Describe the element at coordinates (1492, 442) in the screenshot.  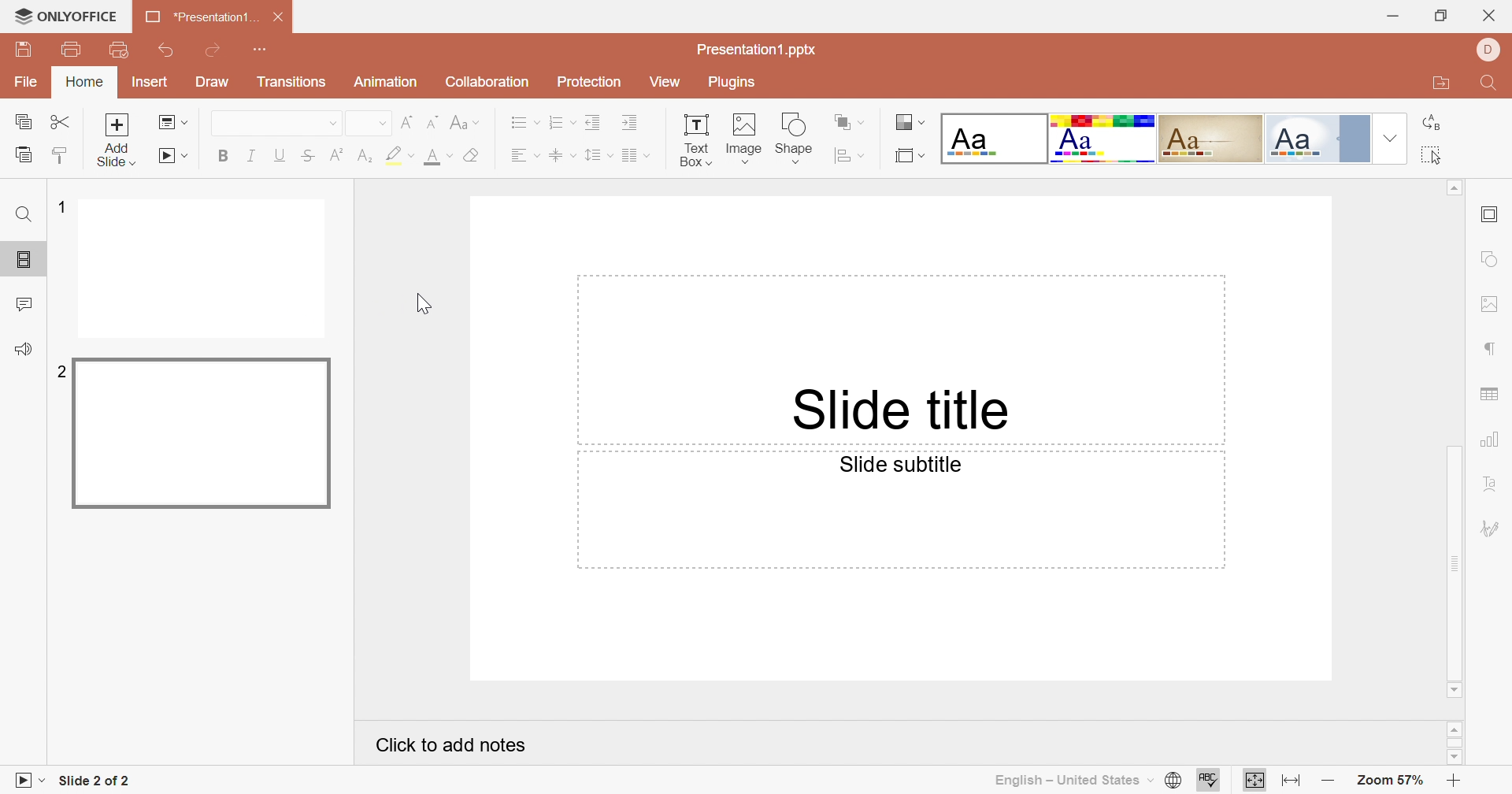
I see `Chart settings` at that location.